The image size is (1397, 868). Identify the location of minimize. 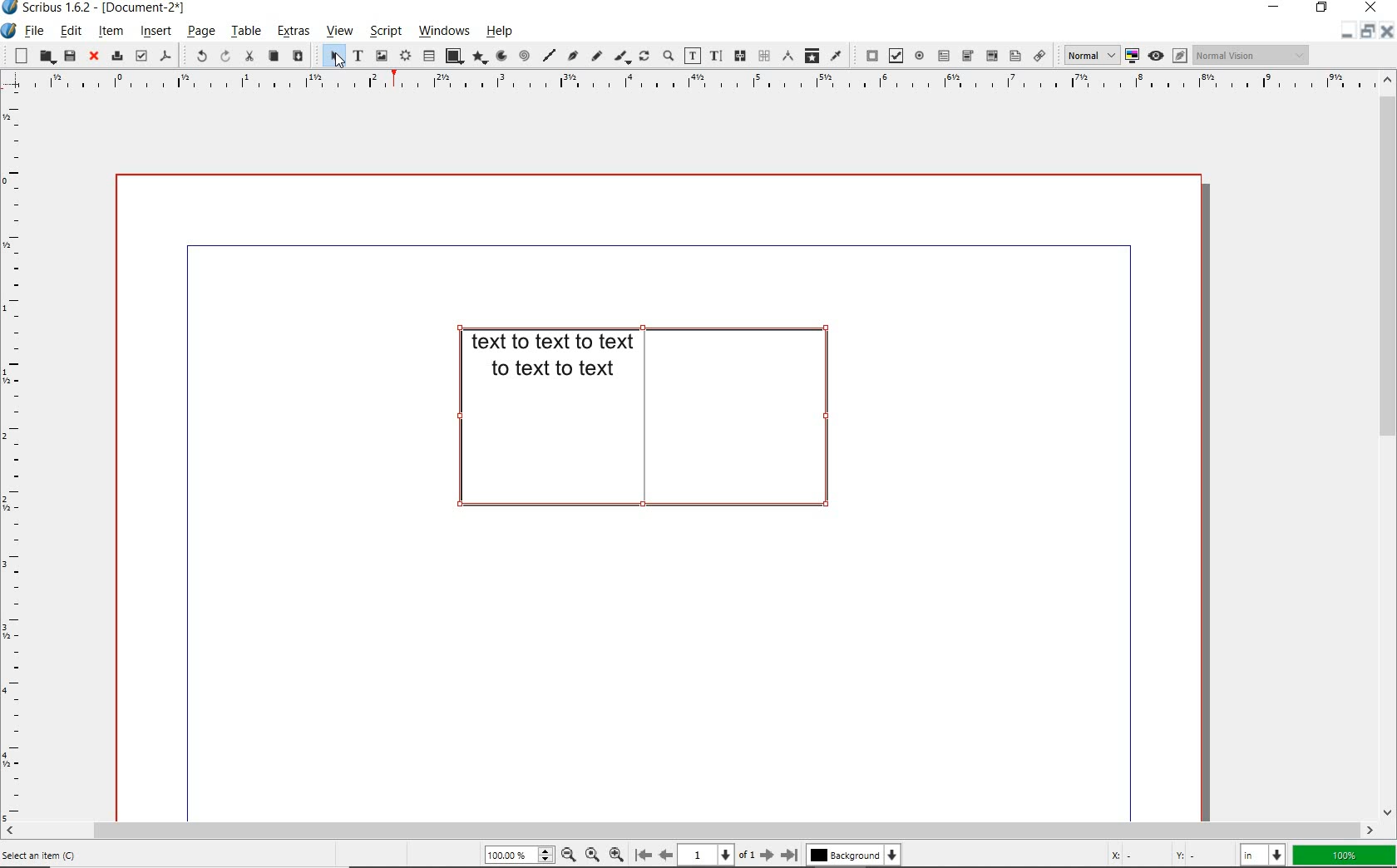
(1276, 8).